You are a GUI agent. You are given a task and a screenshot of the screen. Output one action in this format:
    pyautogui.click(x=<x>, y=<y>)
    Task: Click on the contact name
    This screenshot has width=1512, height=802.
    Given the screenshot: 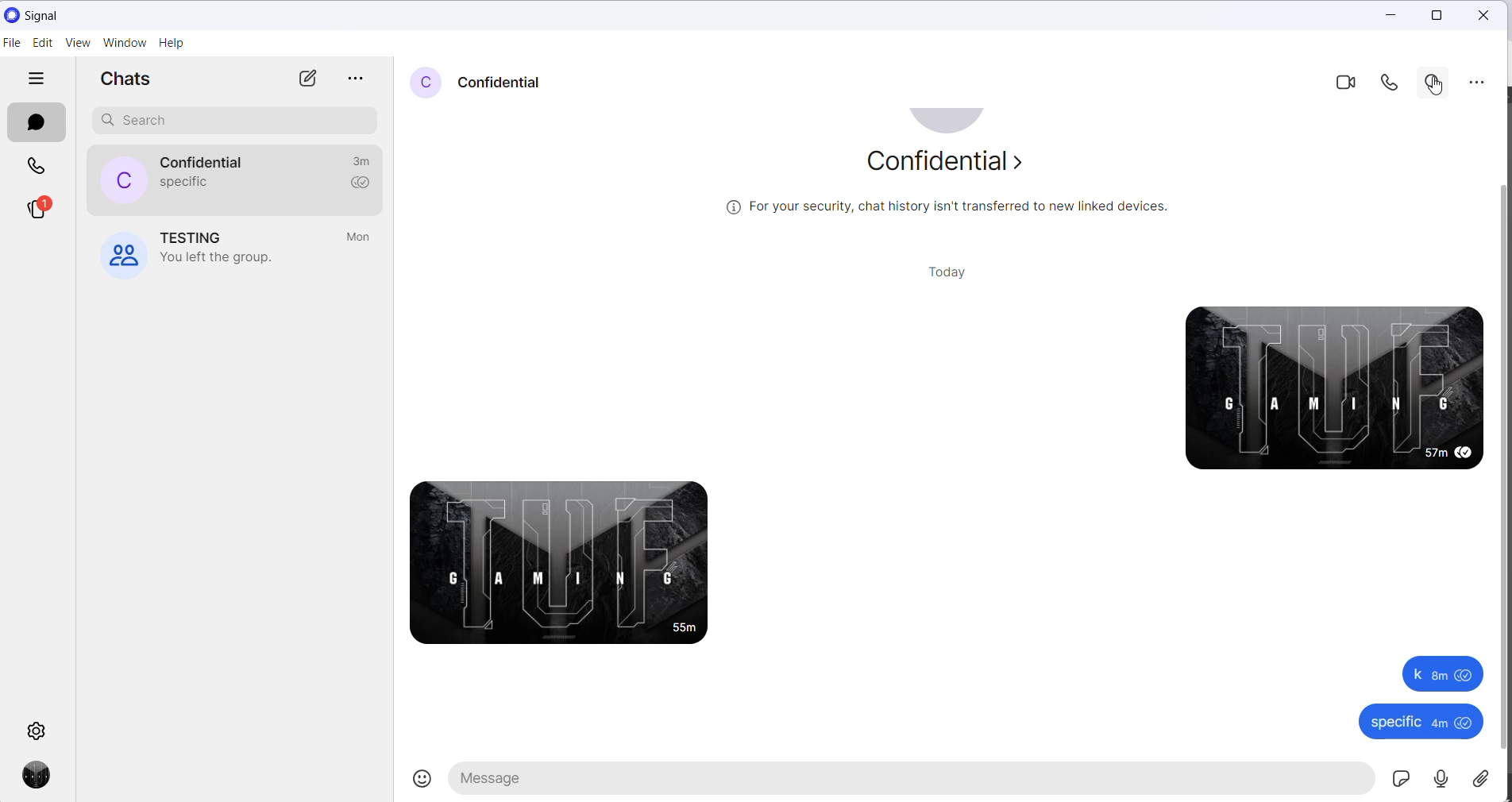 What is the action you would take?
    pyautogui.click(x=501, y=83)
    